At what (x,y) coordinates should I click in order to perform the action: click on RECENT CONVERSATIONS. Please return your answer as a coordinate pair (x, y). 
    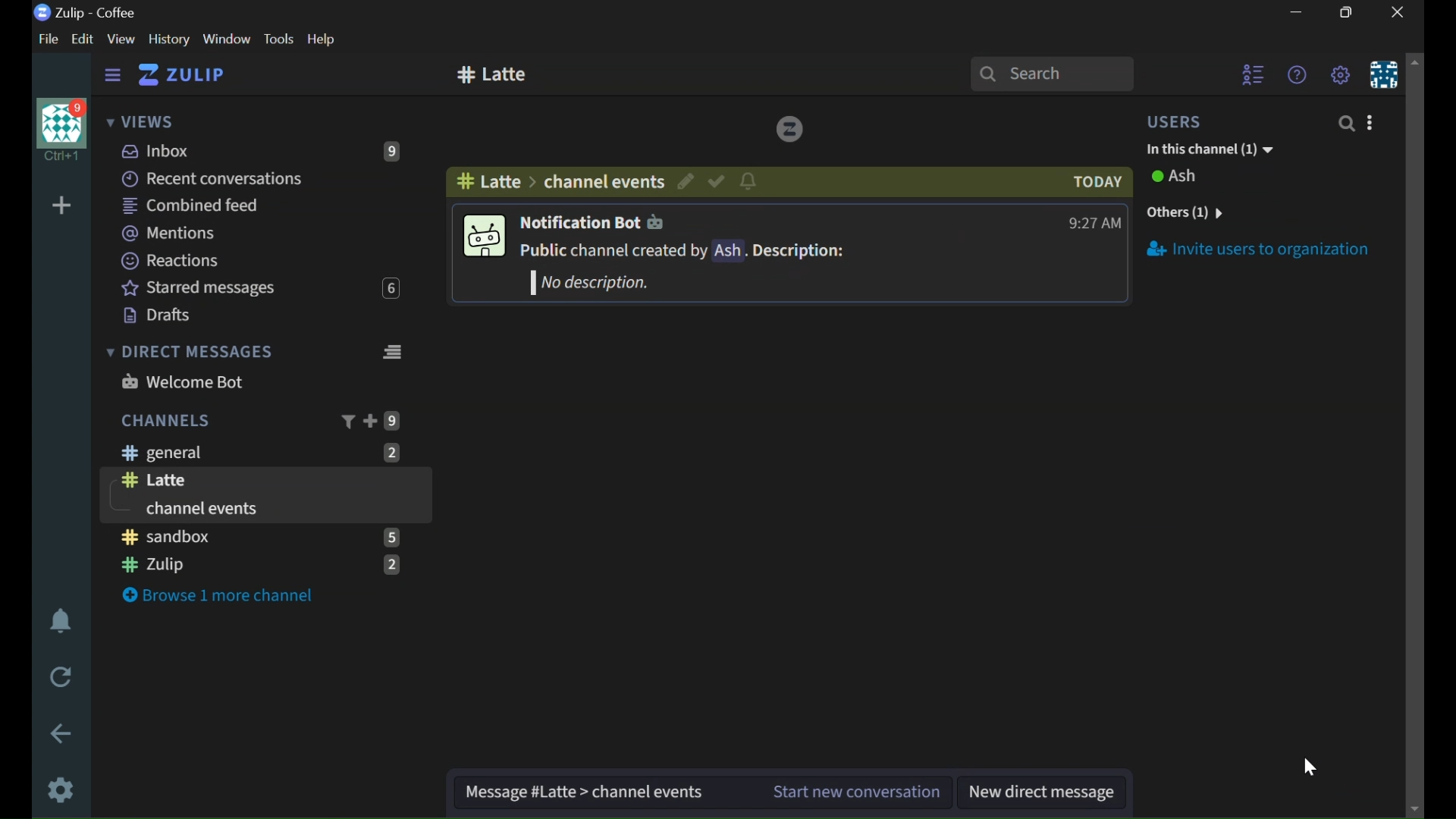
    Looking at the image, I should click on (244, 177).